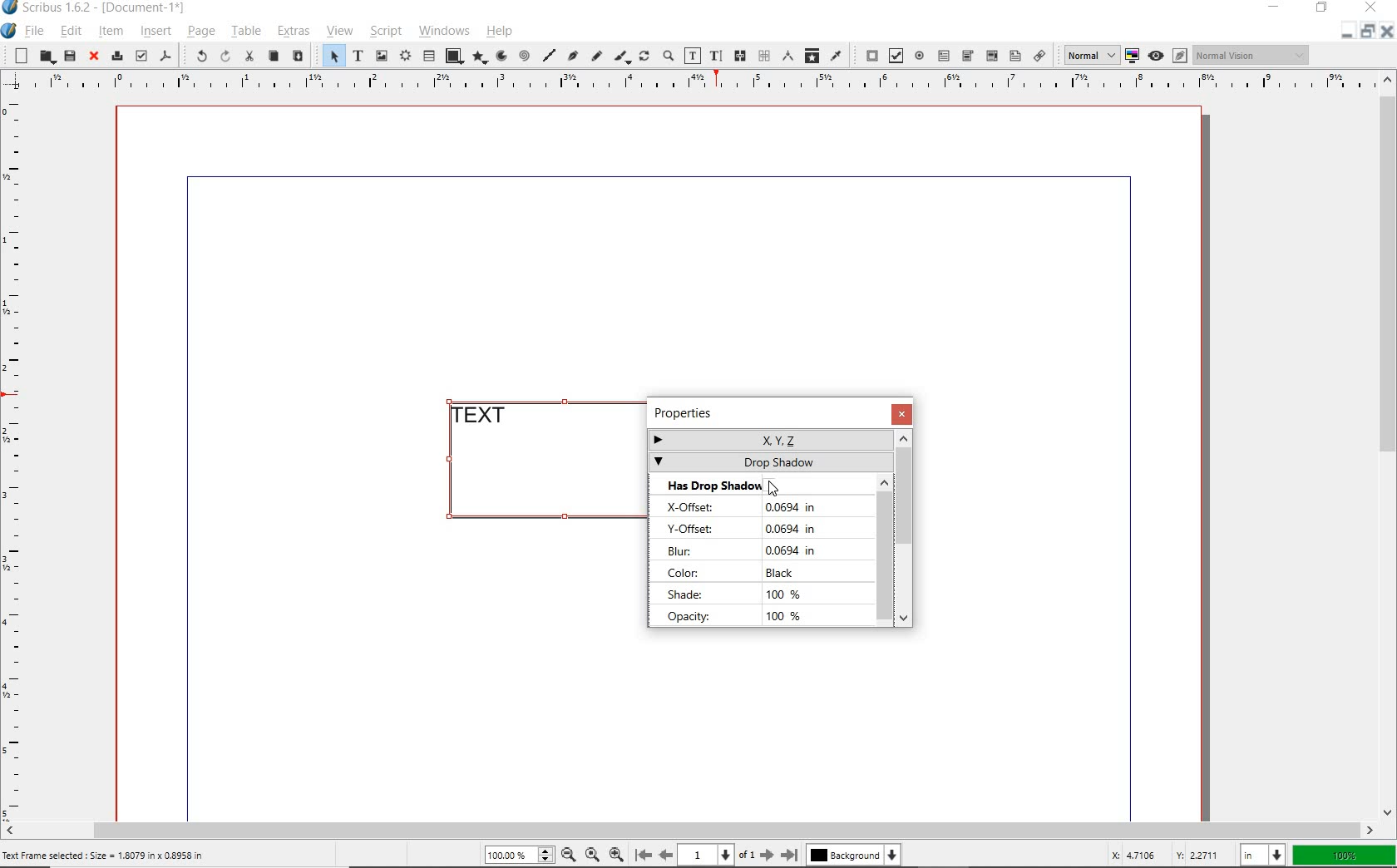  What do you see at coordinates (1090, 55) in the screenshot?
I see `Normal` at bounding box center [1090, 55].